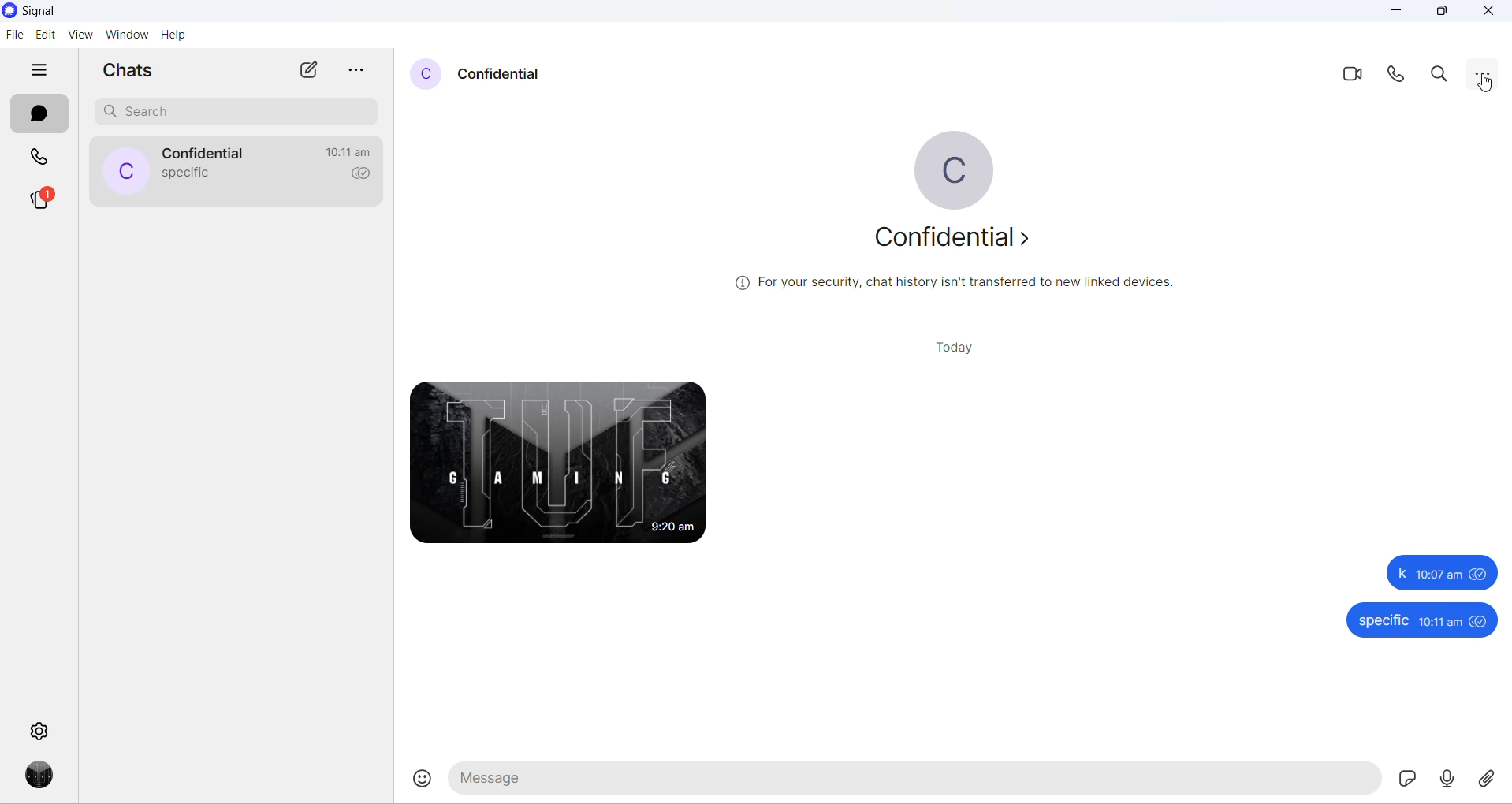 The image size is (1512, 804). I want to click on sticker, so click(1406, 780).